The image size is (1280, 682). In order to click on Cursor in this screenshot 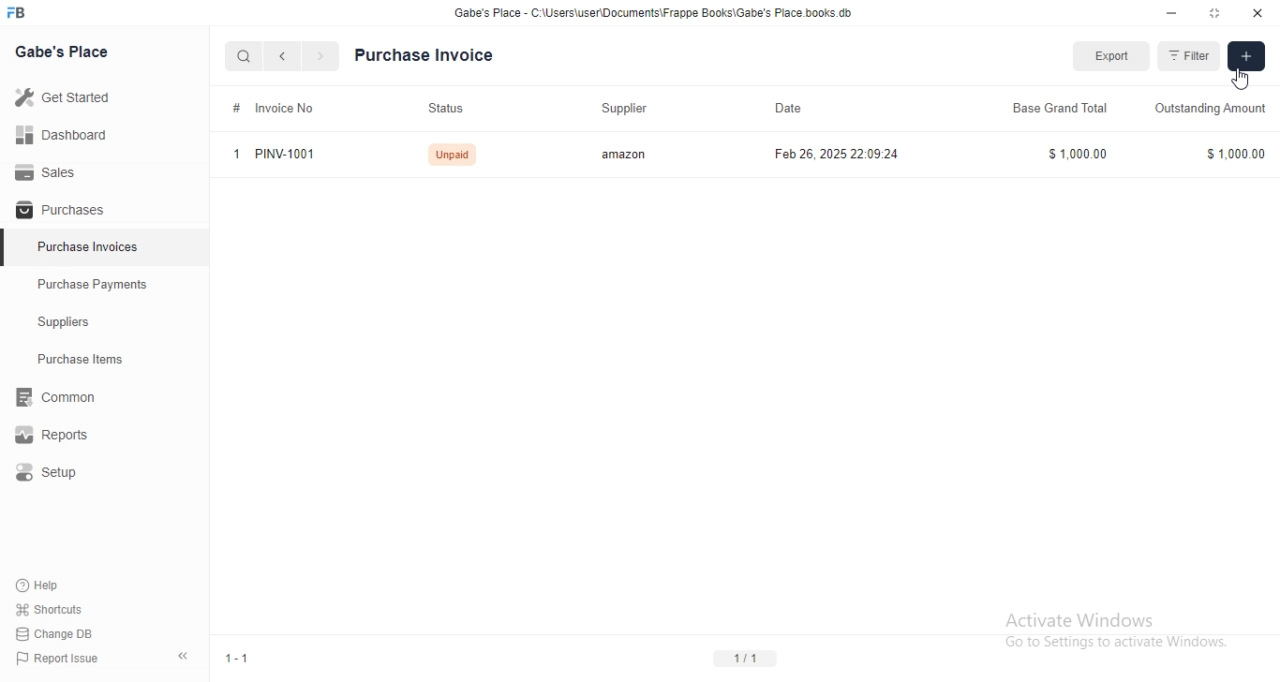, I will do `click(1240, 78)`.